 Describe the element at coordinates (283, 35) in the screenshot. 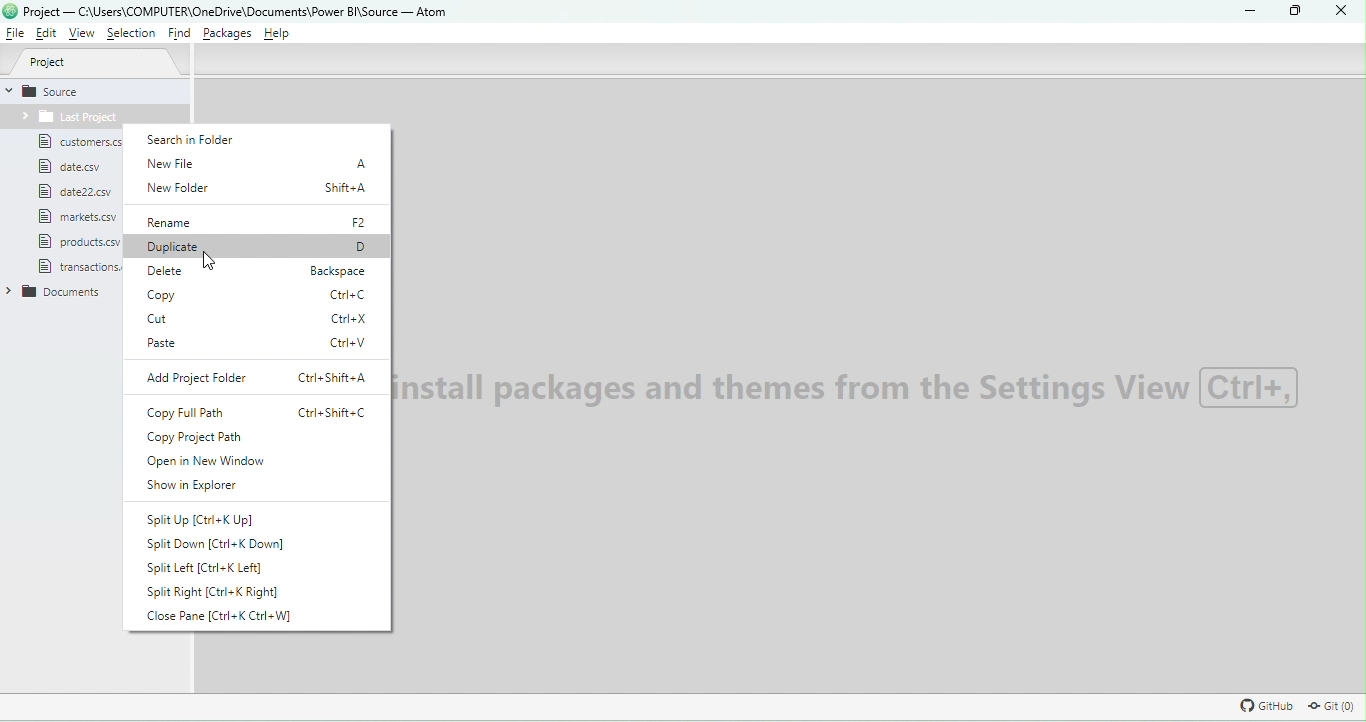

I see `Help` at that location.